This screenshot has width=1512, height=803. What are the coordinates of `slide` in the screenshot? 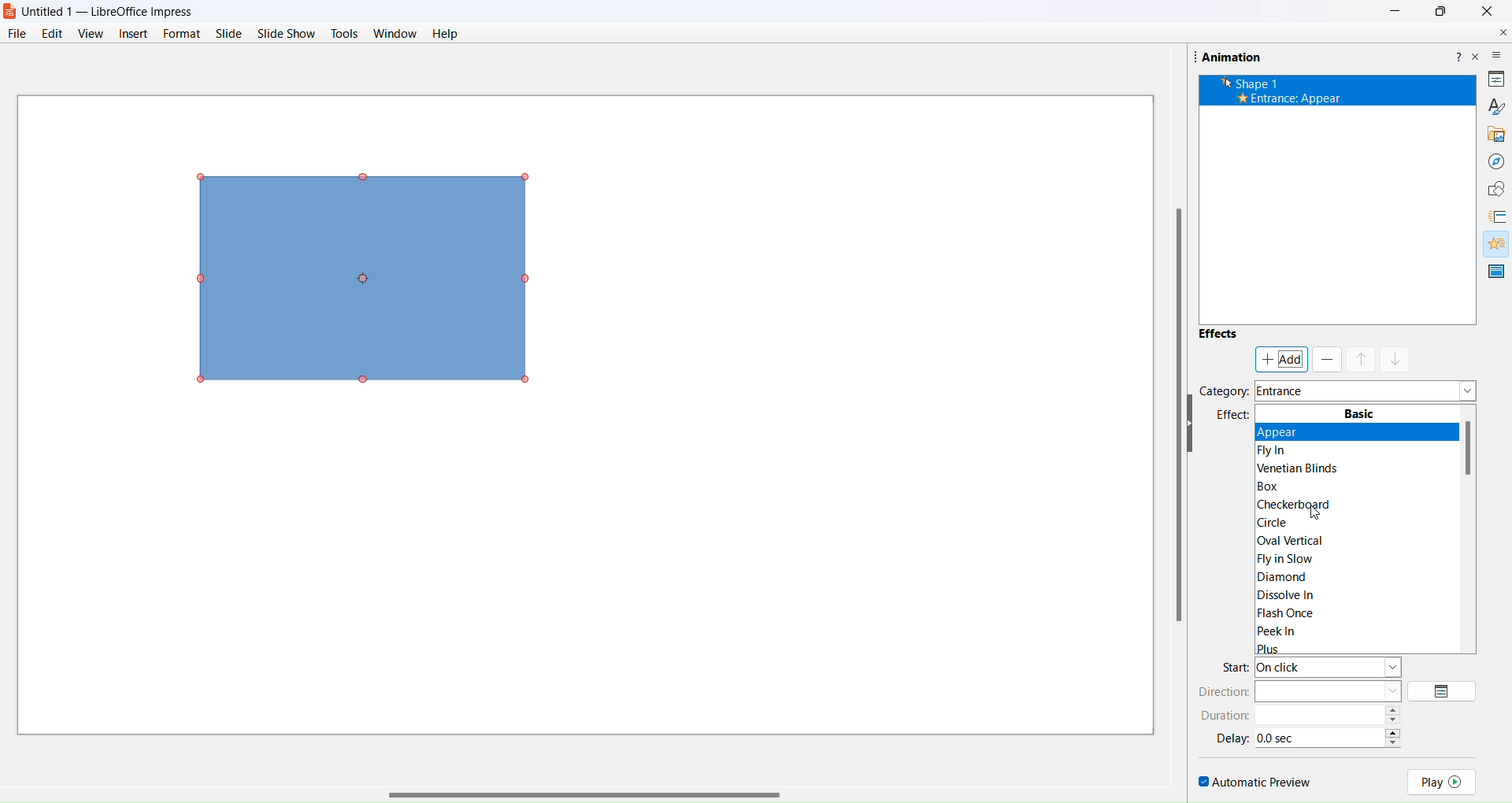 It's located at (228, 34).